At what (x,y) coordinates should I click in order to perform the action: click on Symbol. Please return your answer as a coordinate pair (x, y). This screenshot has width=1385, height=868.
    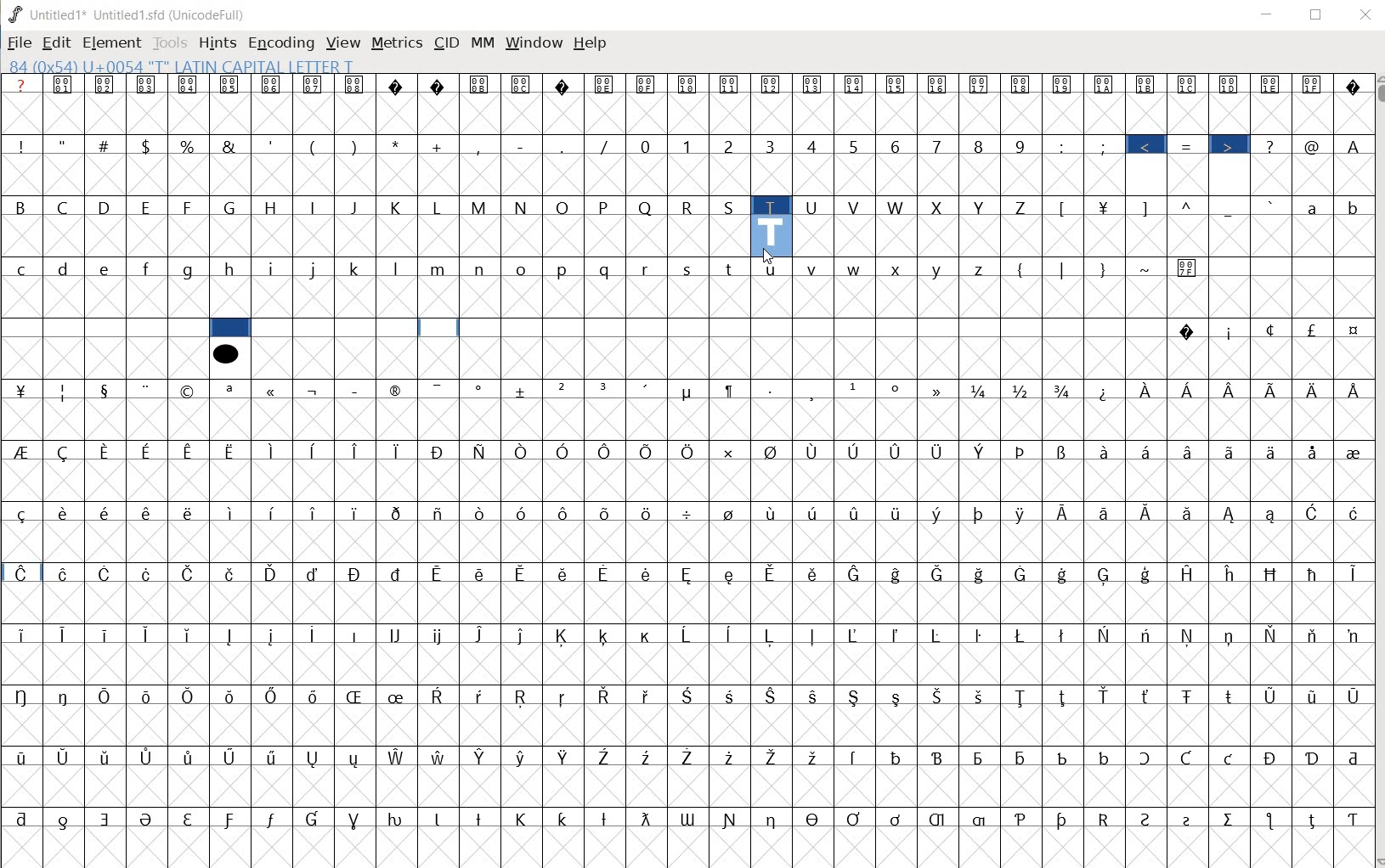
    Looking at the image, I should click on (108, 451).